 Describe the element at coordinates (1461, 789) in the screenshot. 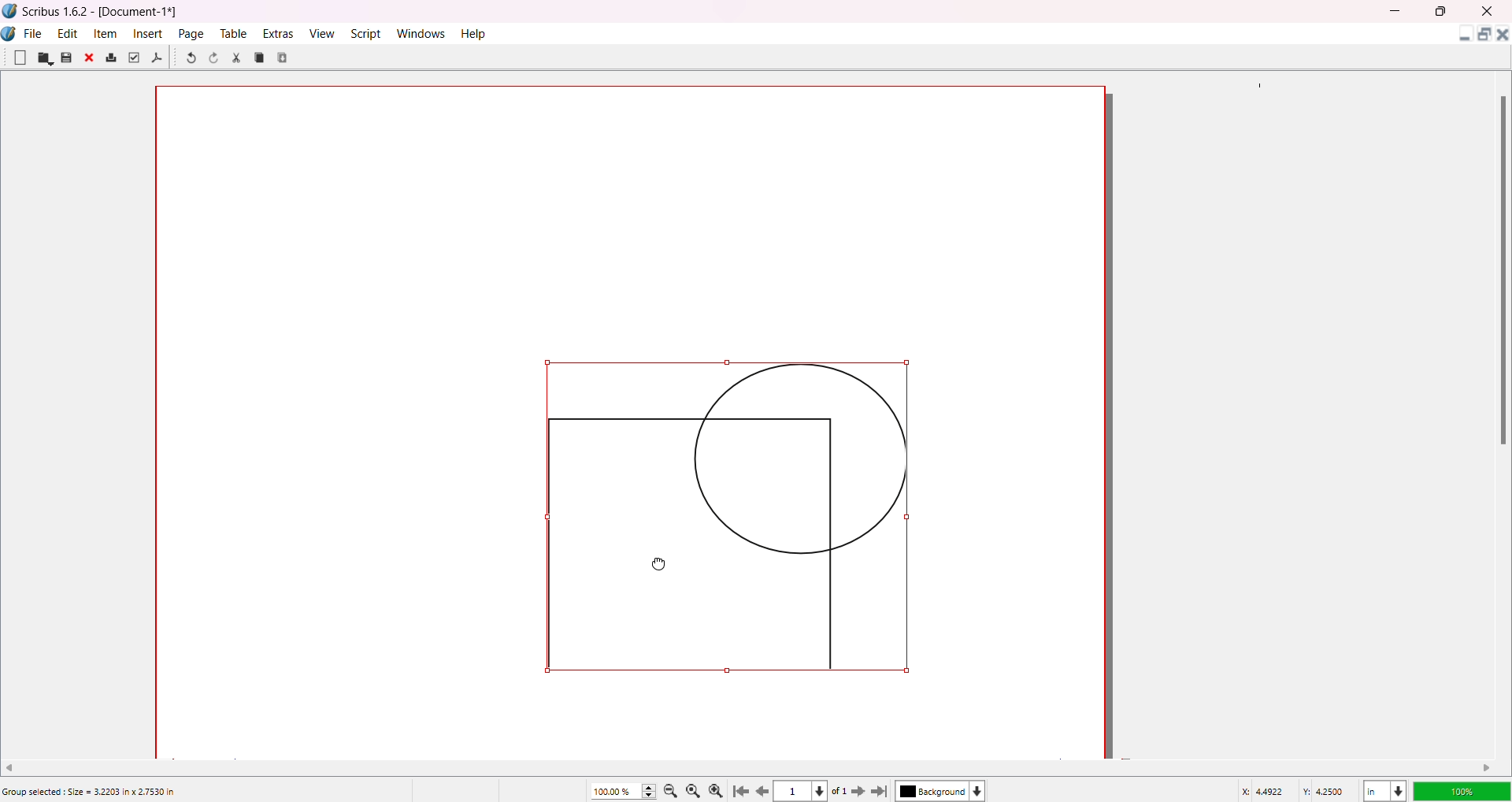

I see `Opacity` at that location.